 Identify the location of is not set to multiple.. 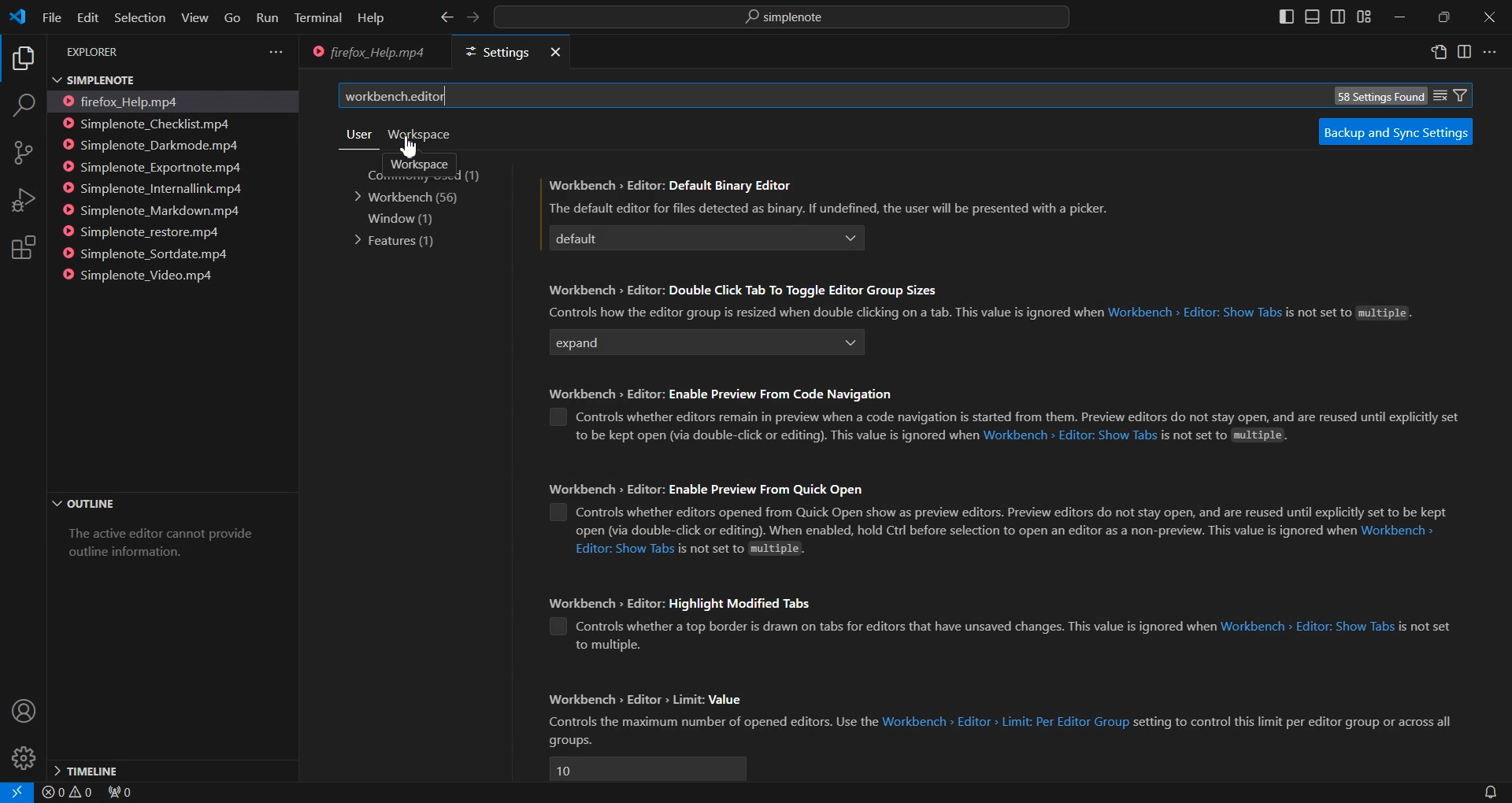
(1225, 436).